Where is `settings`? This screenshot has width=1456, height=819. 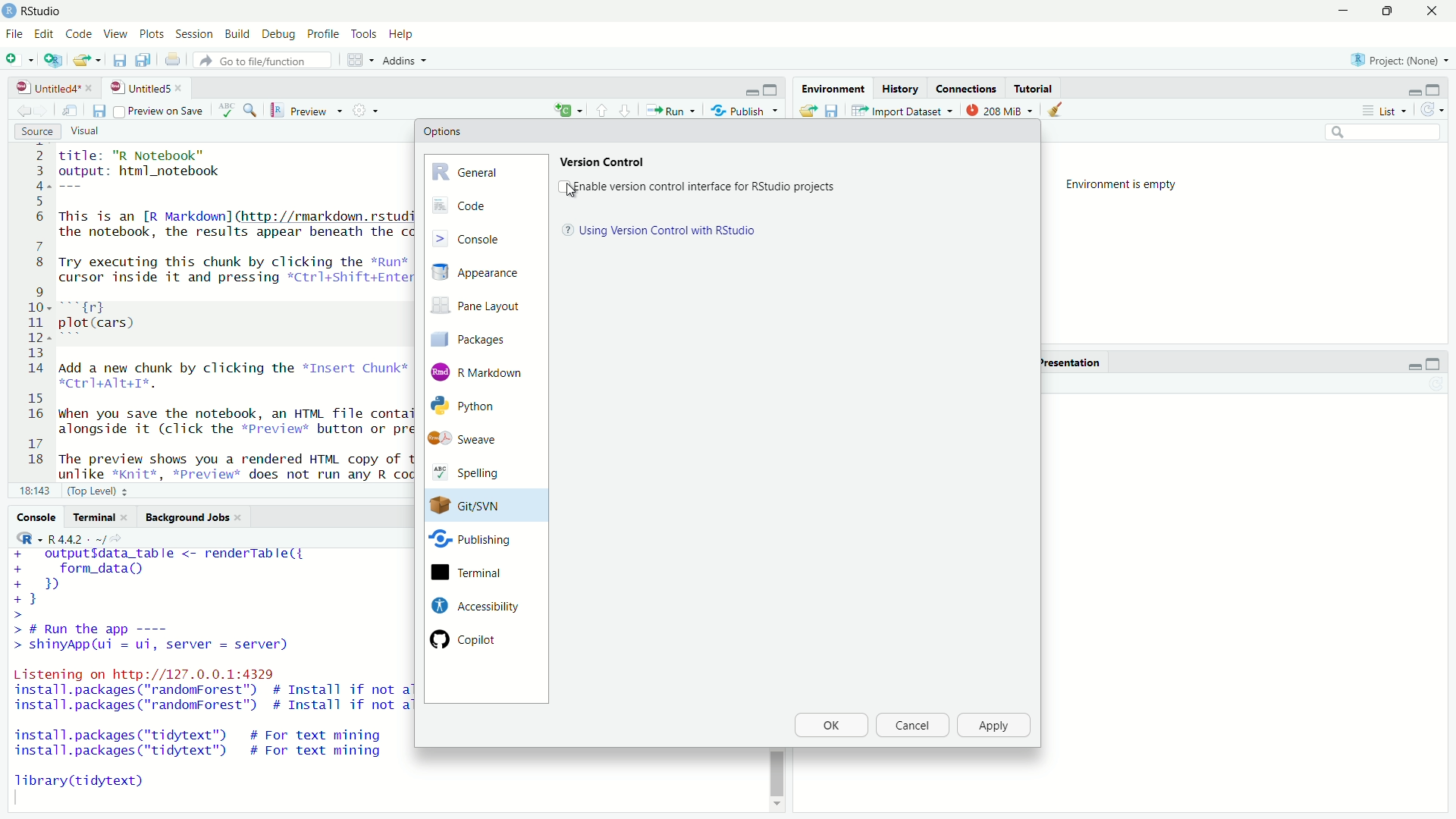
settings is located at coordinates (369, 110).